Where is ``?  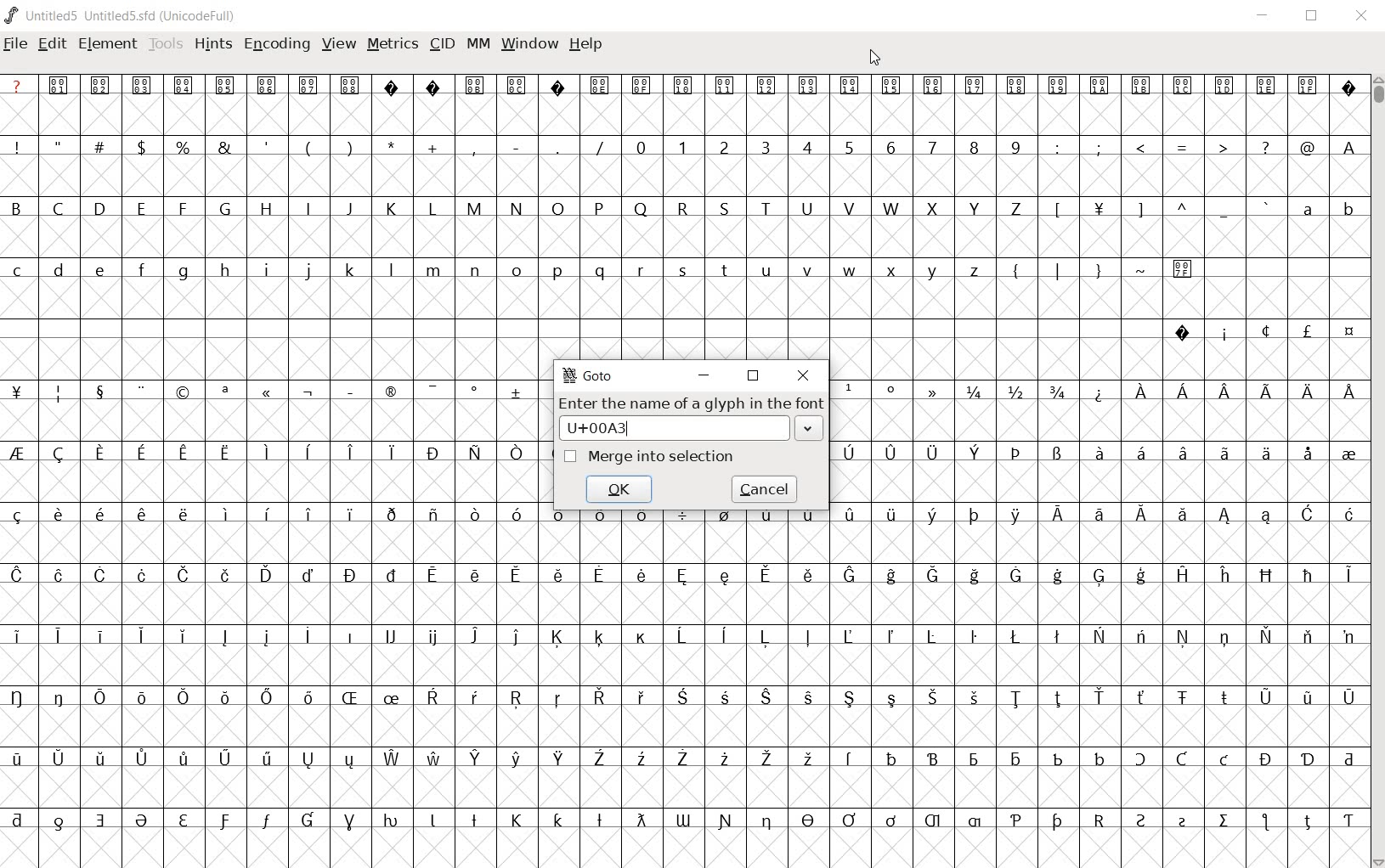
 is located at coordinates (558, 819).